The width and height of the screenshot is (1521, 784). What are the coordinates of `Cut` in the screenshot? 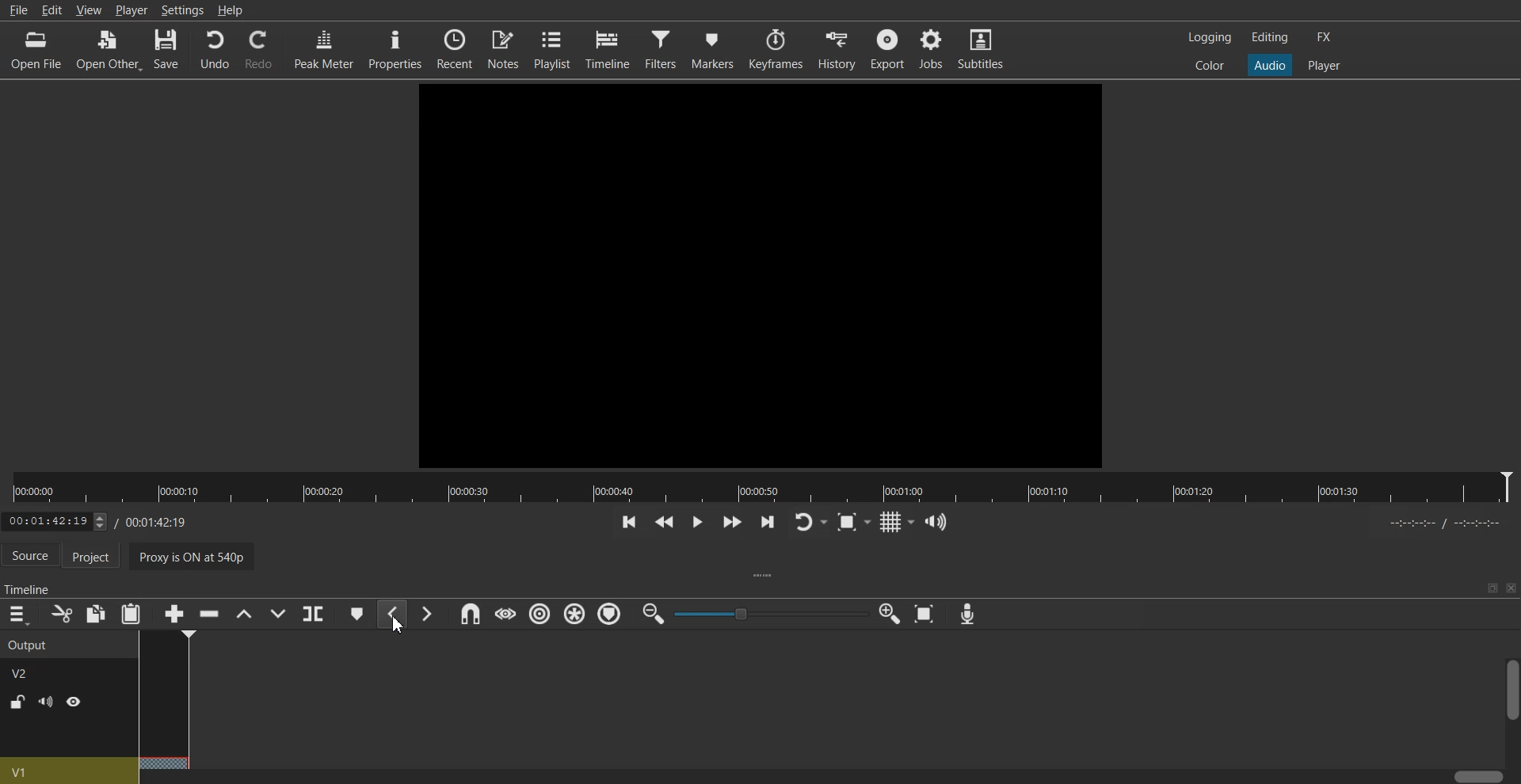 It's located at (60, 614).